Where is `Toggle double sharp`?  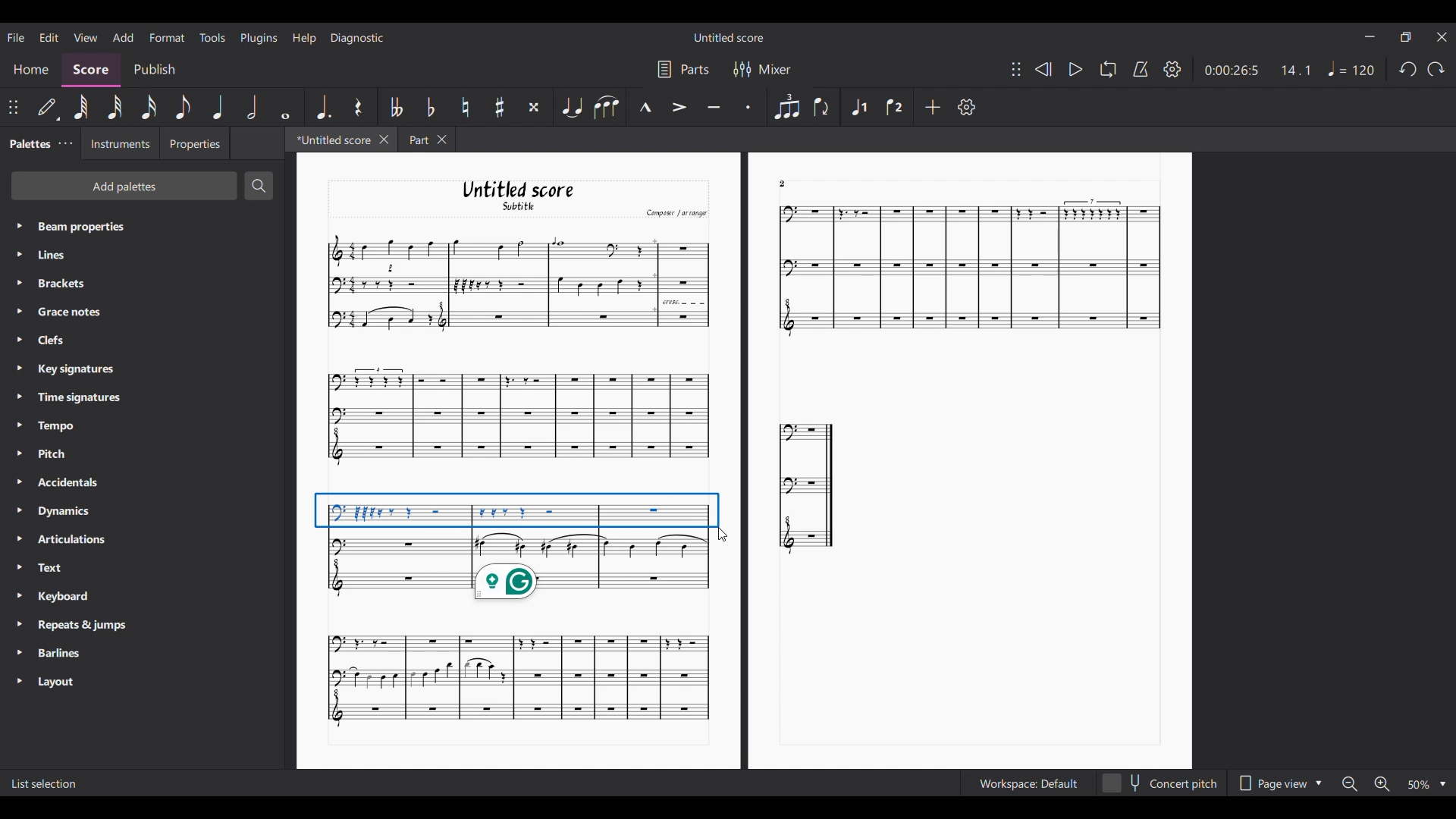
Toggle double sharp is located at coordinates (534, 107).